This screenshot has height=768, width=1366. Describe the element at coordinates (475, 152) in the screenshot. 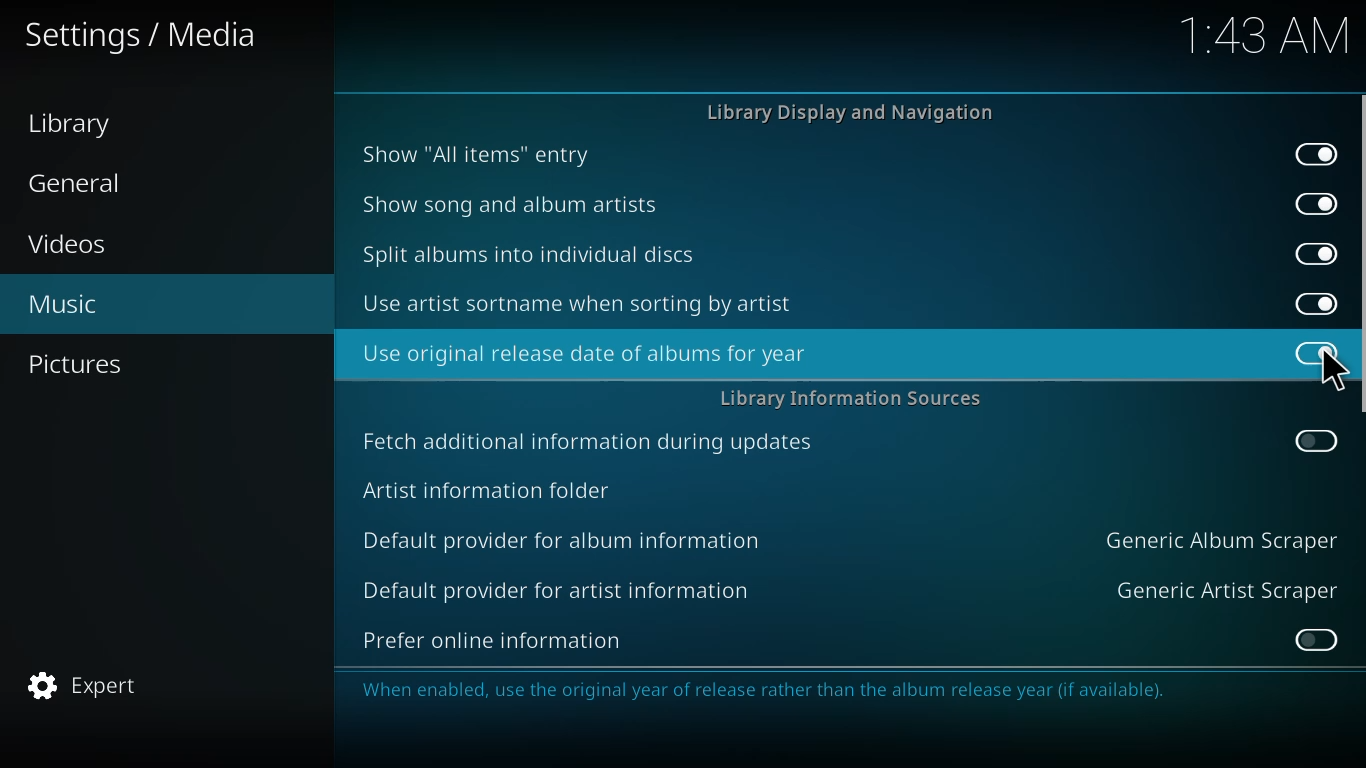

I see `show all items` at that location.